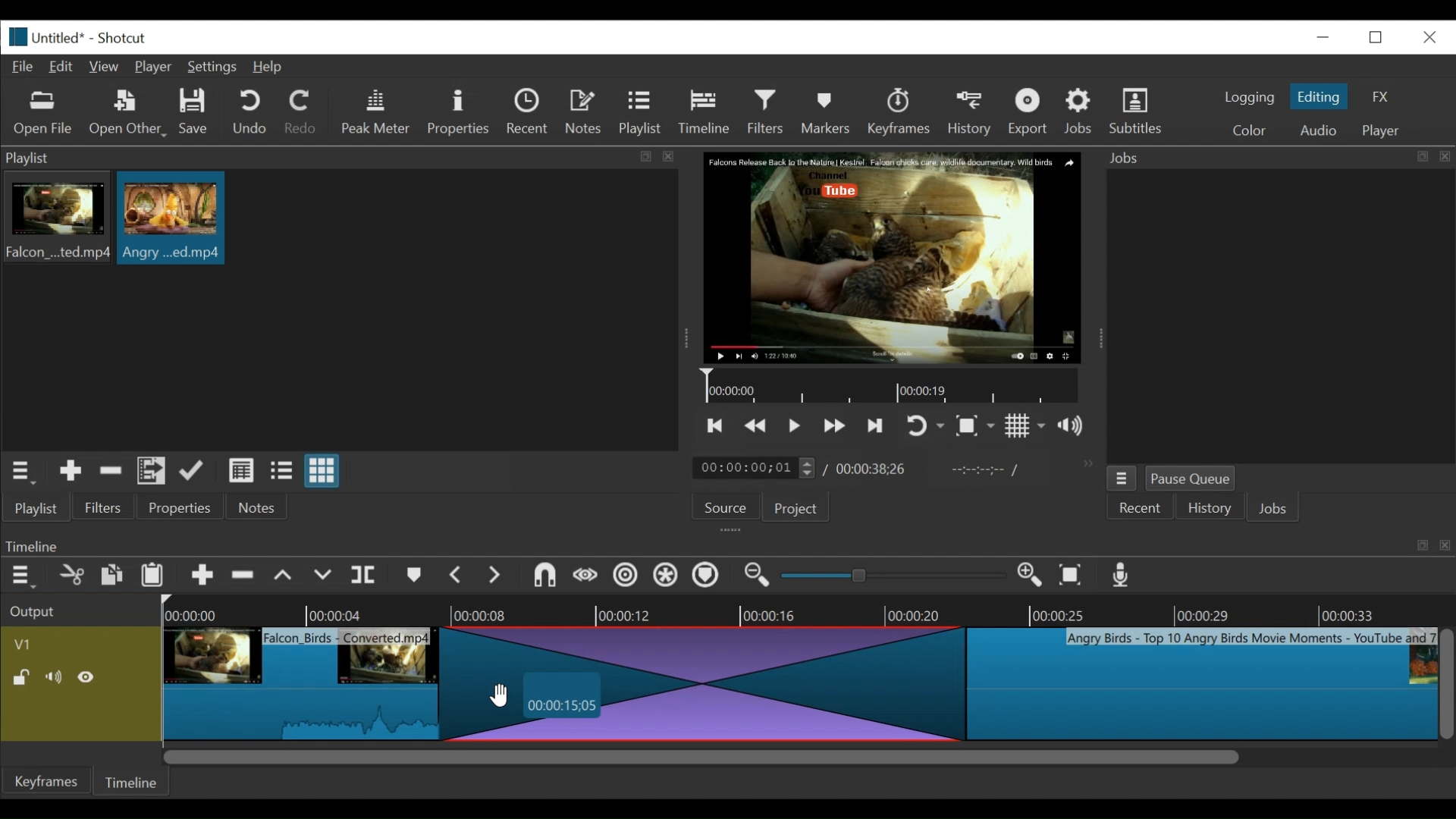  I want to click on view as icons, so click(320, 472).